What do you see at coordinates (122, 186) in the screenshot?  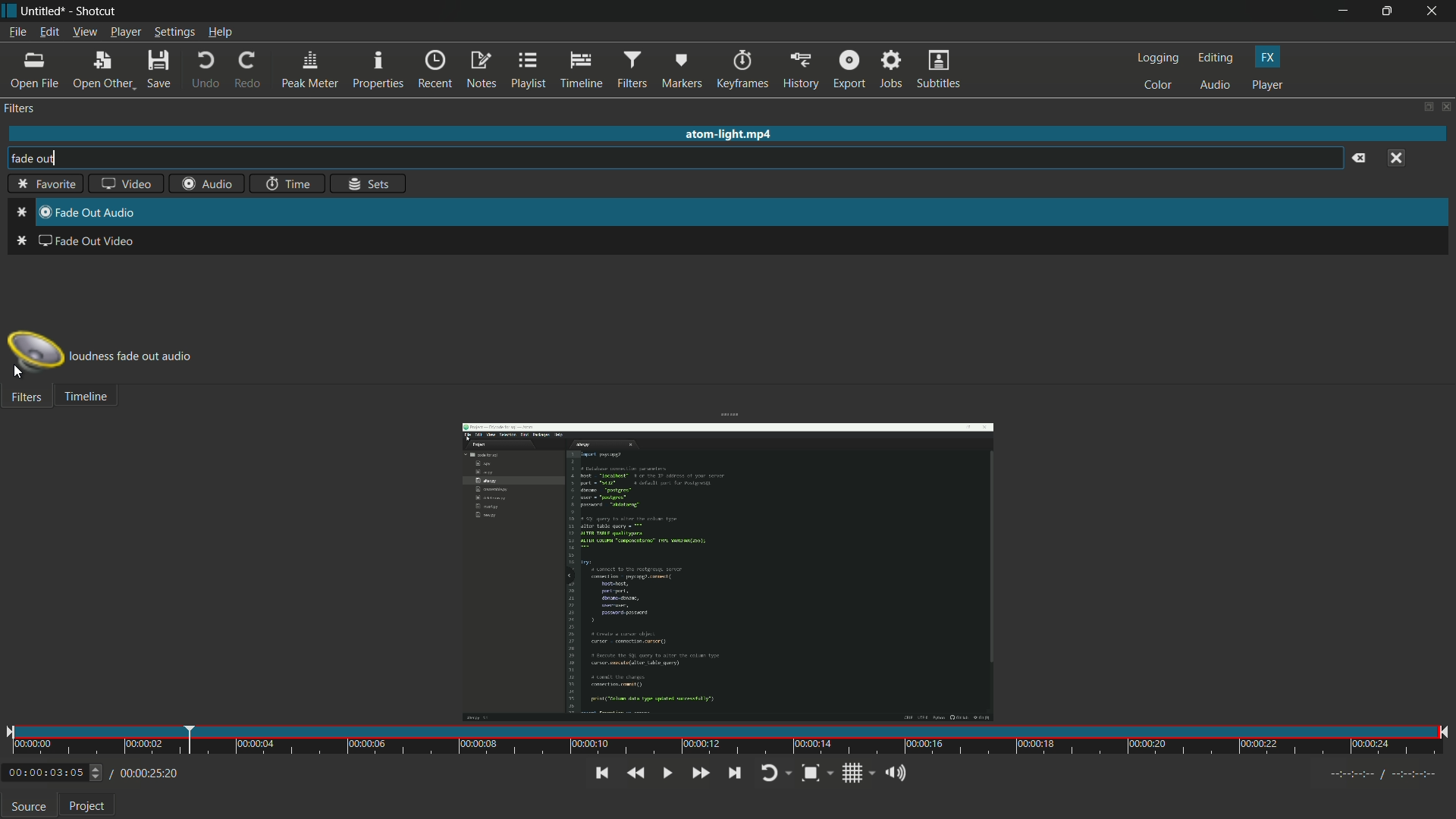 I see `video` at bounding box center [122, 186].